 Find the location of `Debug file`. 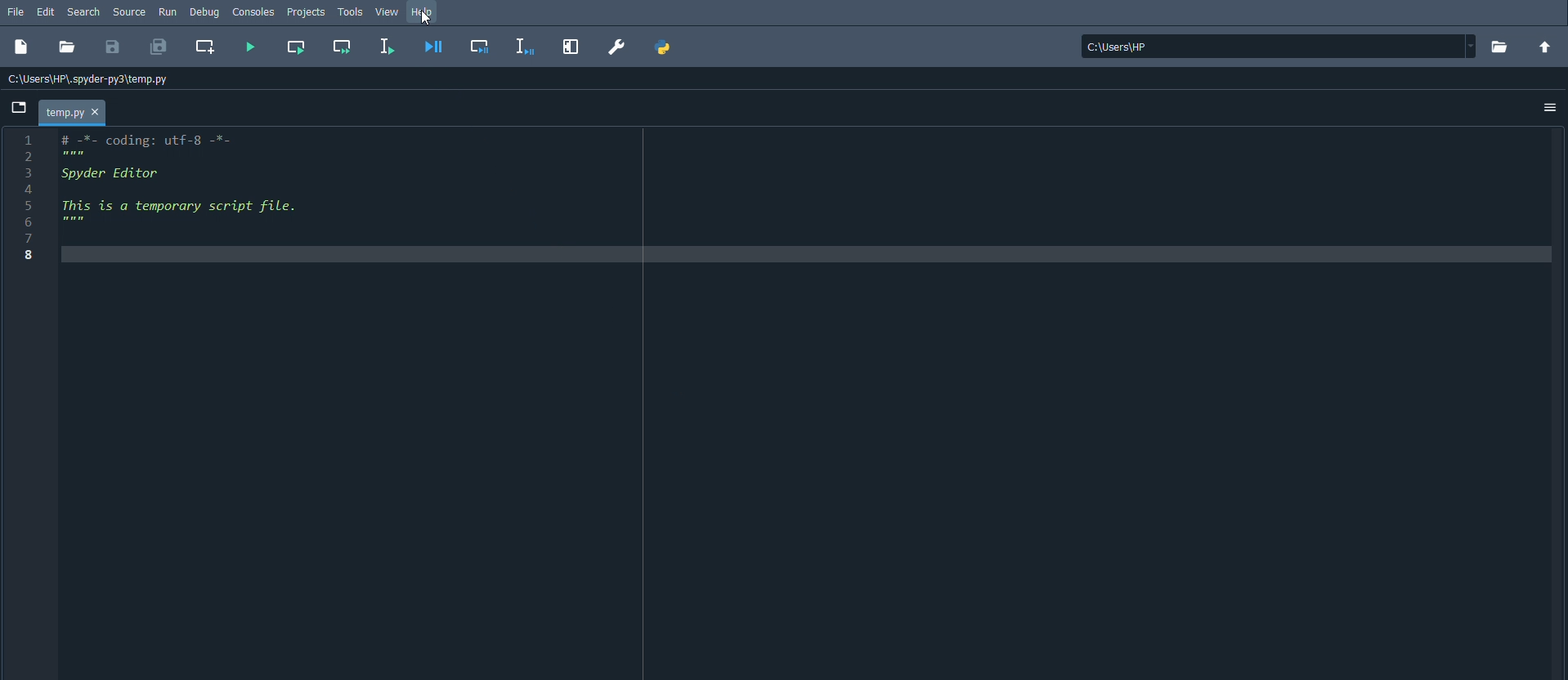

Debug file is located at coordinates (434, 45).